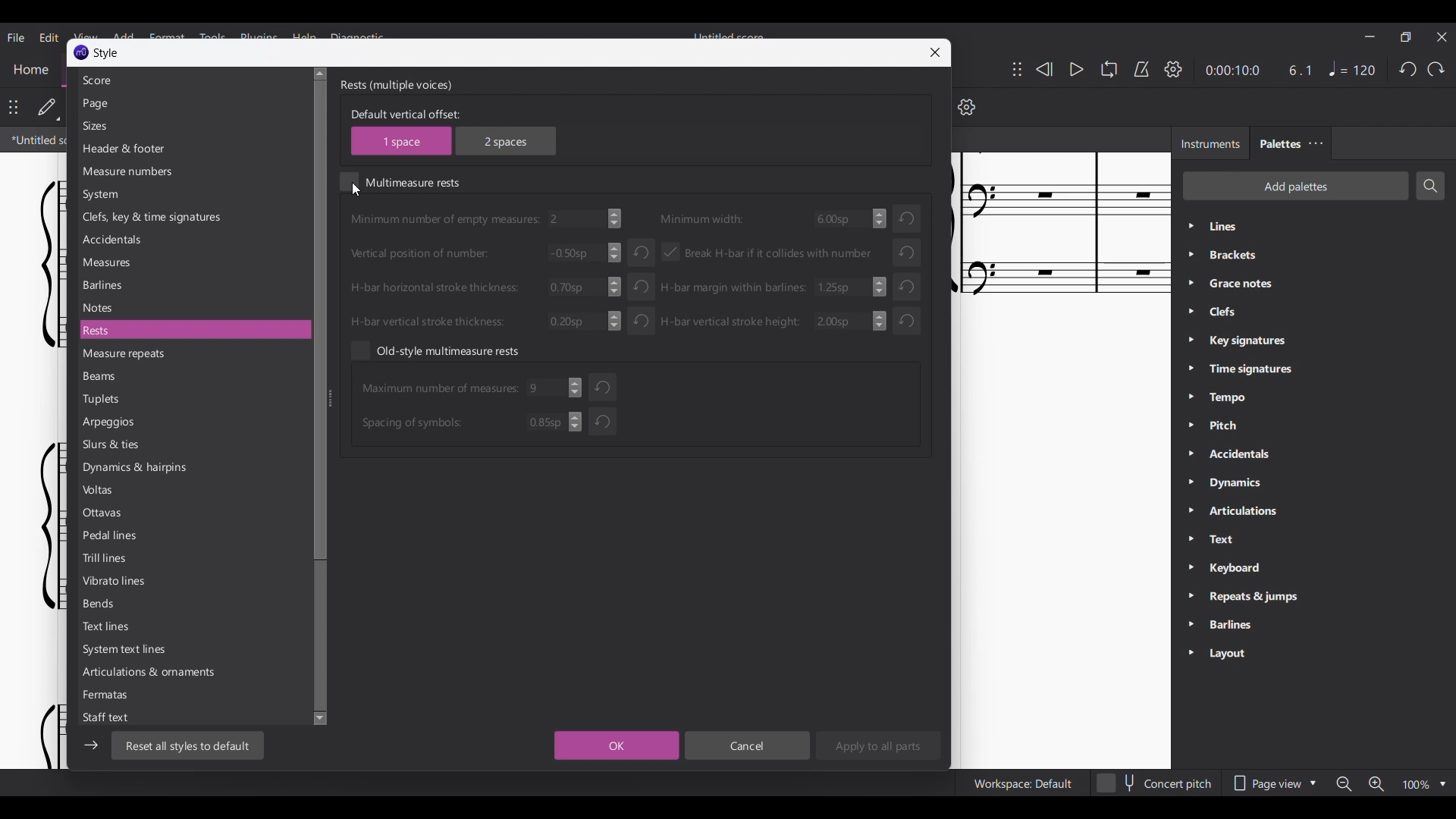 This screenshot has width=1456, height=819. What do you see at coordinates (192, 240) in the screenshot?
I see `Accidentals` at bounding box center [192, 240].